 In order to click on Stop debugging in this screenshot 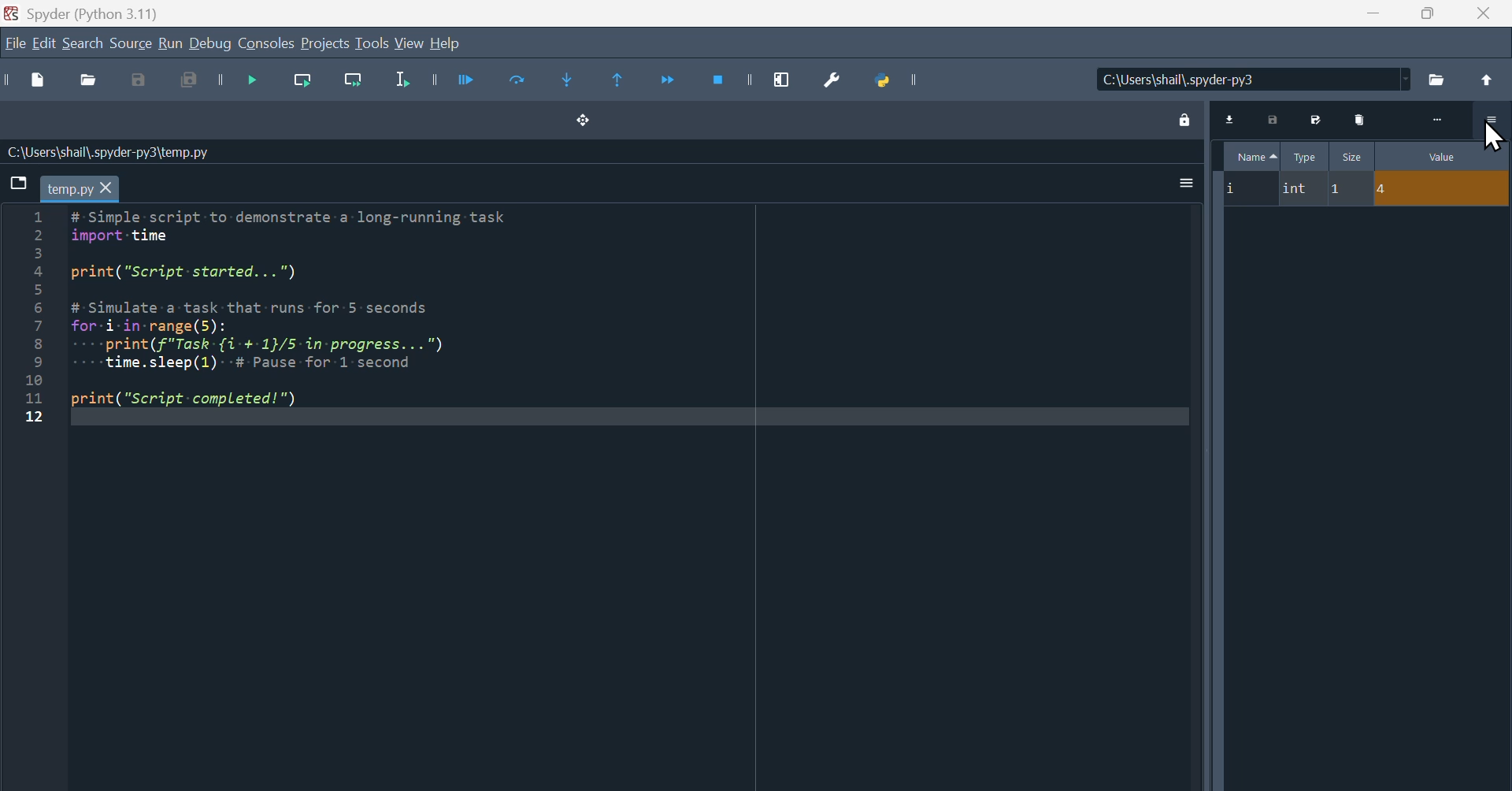, I will do `click(720, 82)`.